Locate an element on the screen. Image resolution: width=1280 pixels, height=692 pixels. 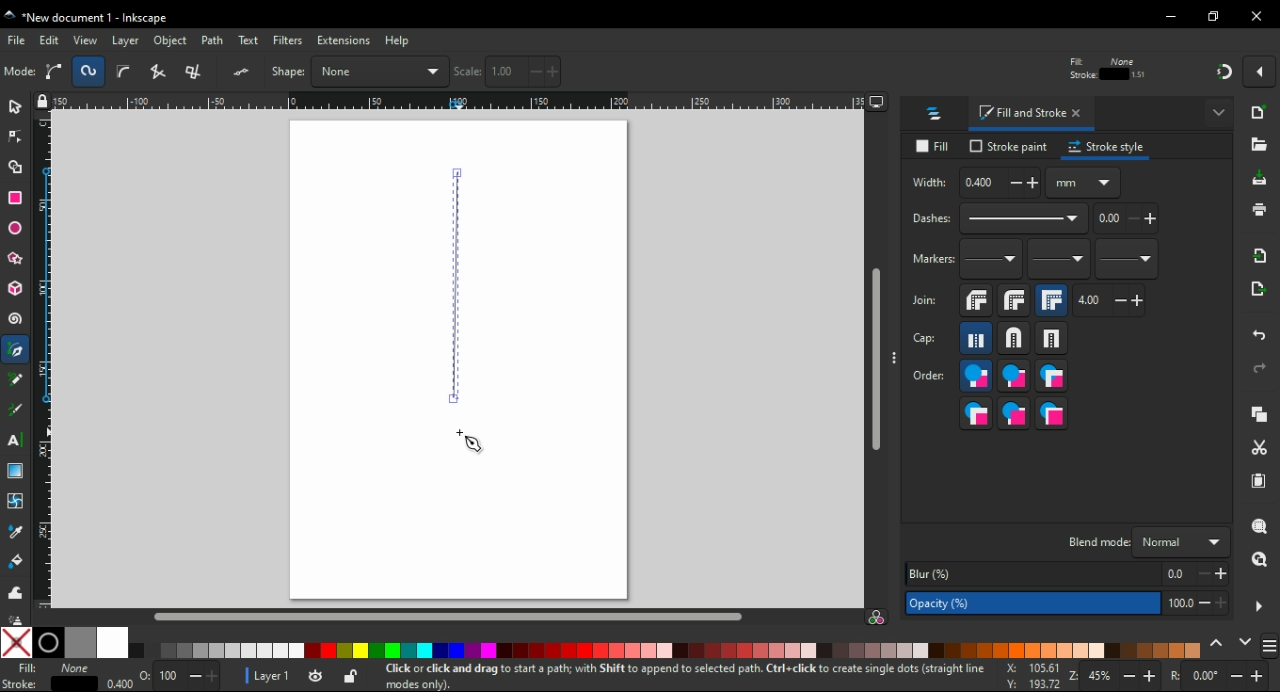
miter is located at coordinates (1051, 300).